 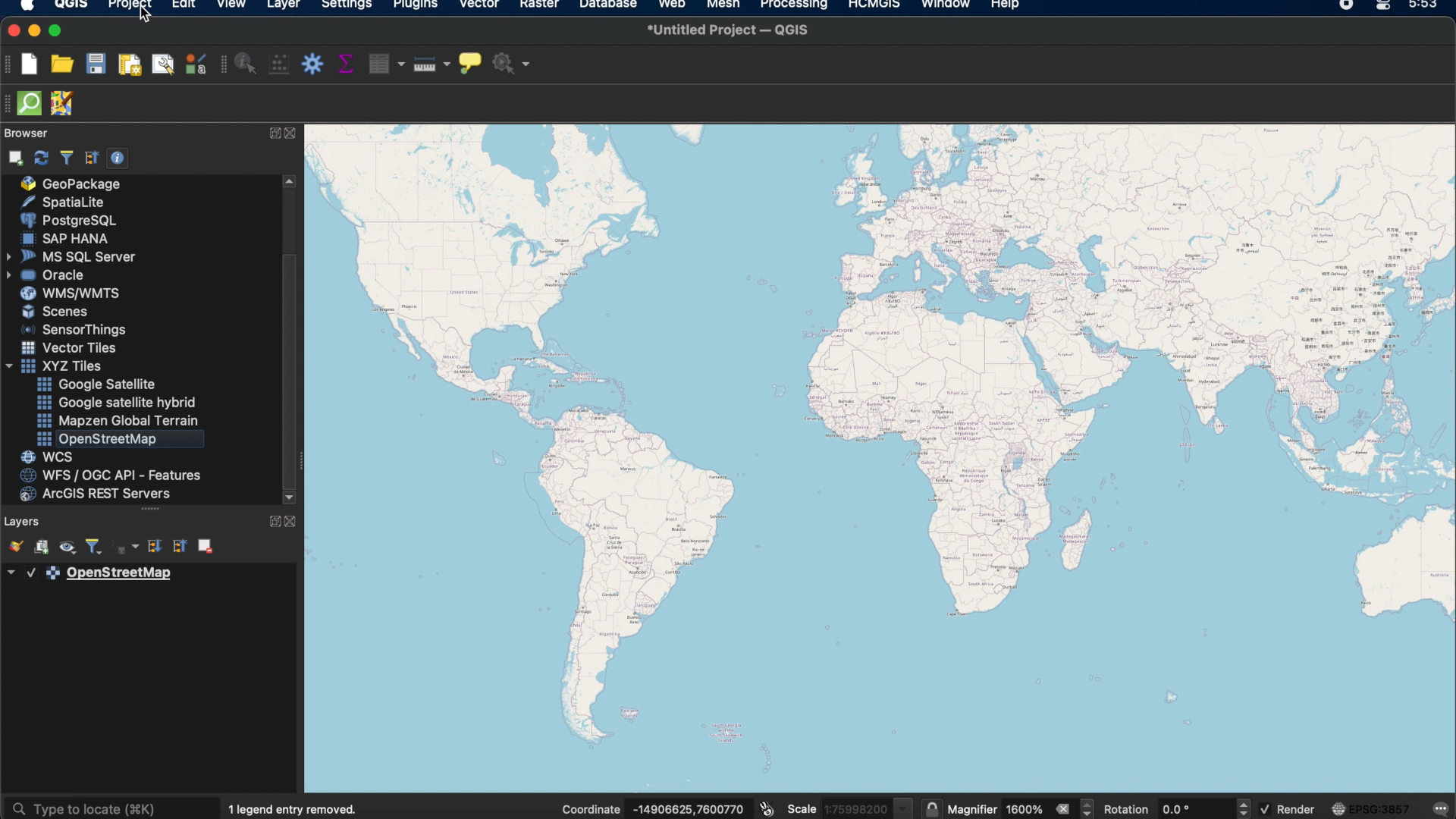 What do you see at coordinates (874, 6) in the screenshot?
I see `HCMGIS` at bounding box center [874, 6].